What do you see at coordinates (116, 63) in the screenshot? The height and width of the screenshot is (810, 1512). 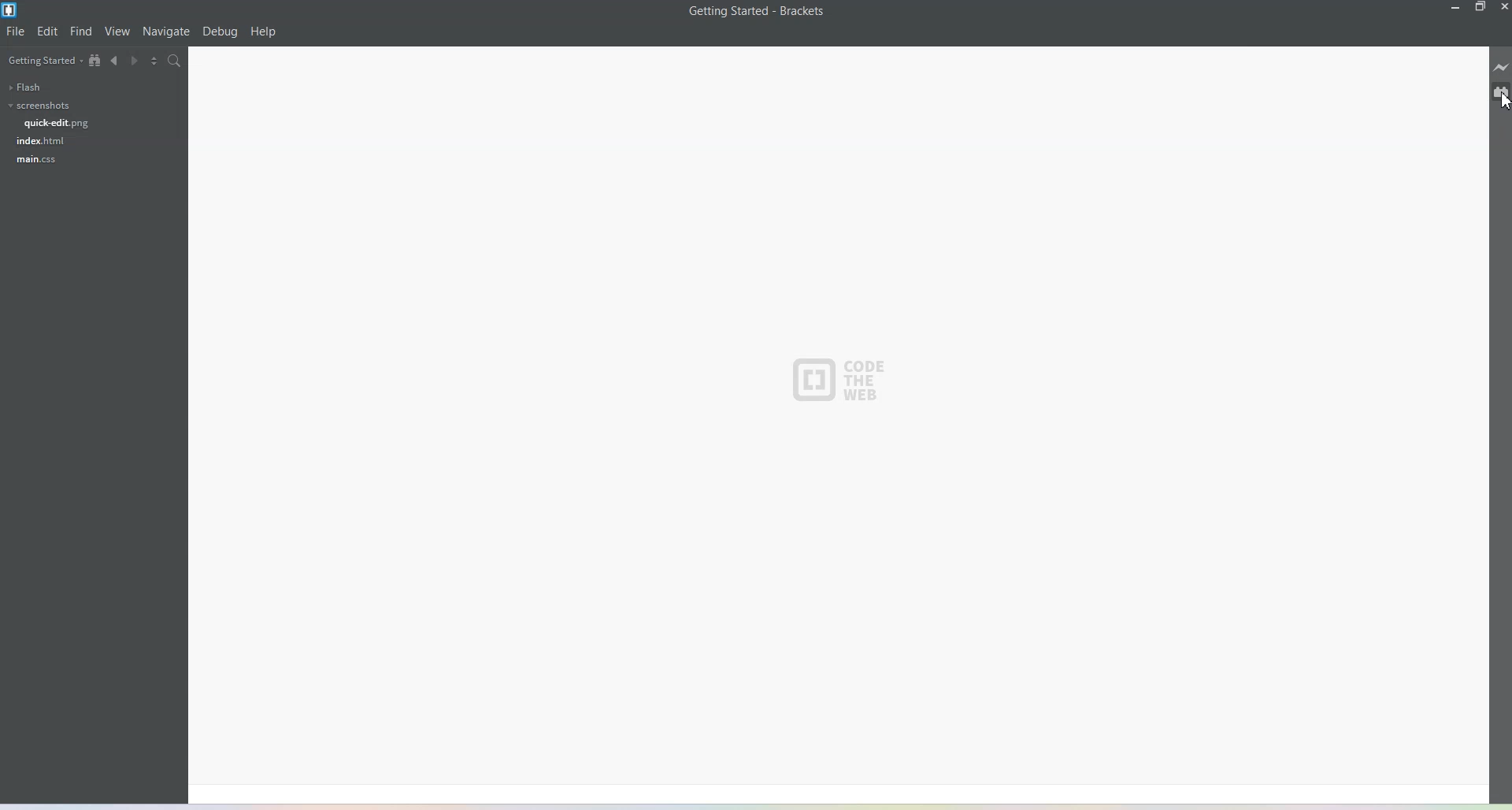 I see `Navigate Backwards` at bounding box center [116, 63].